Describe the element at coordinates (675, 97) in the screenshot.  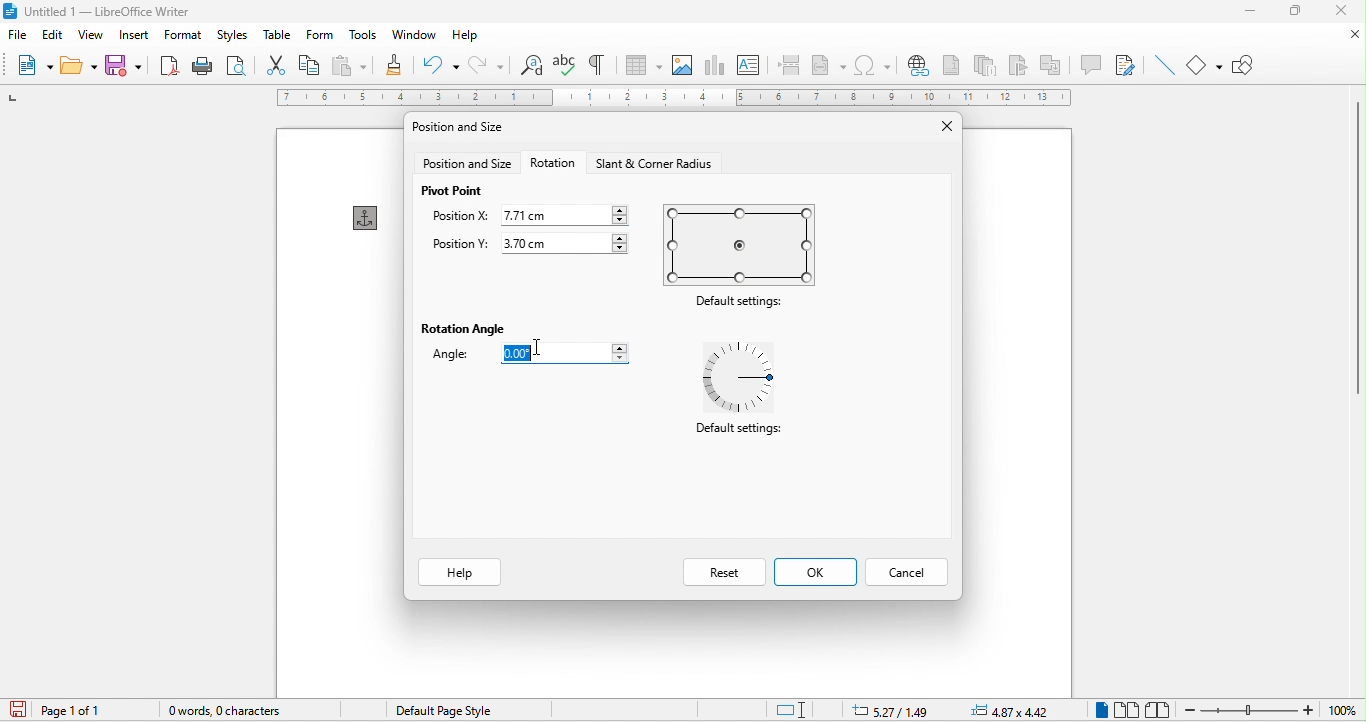
I see `ruler` at that location.